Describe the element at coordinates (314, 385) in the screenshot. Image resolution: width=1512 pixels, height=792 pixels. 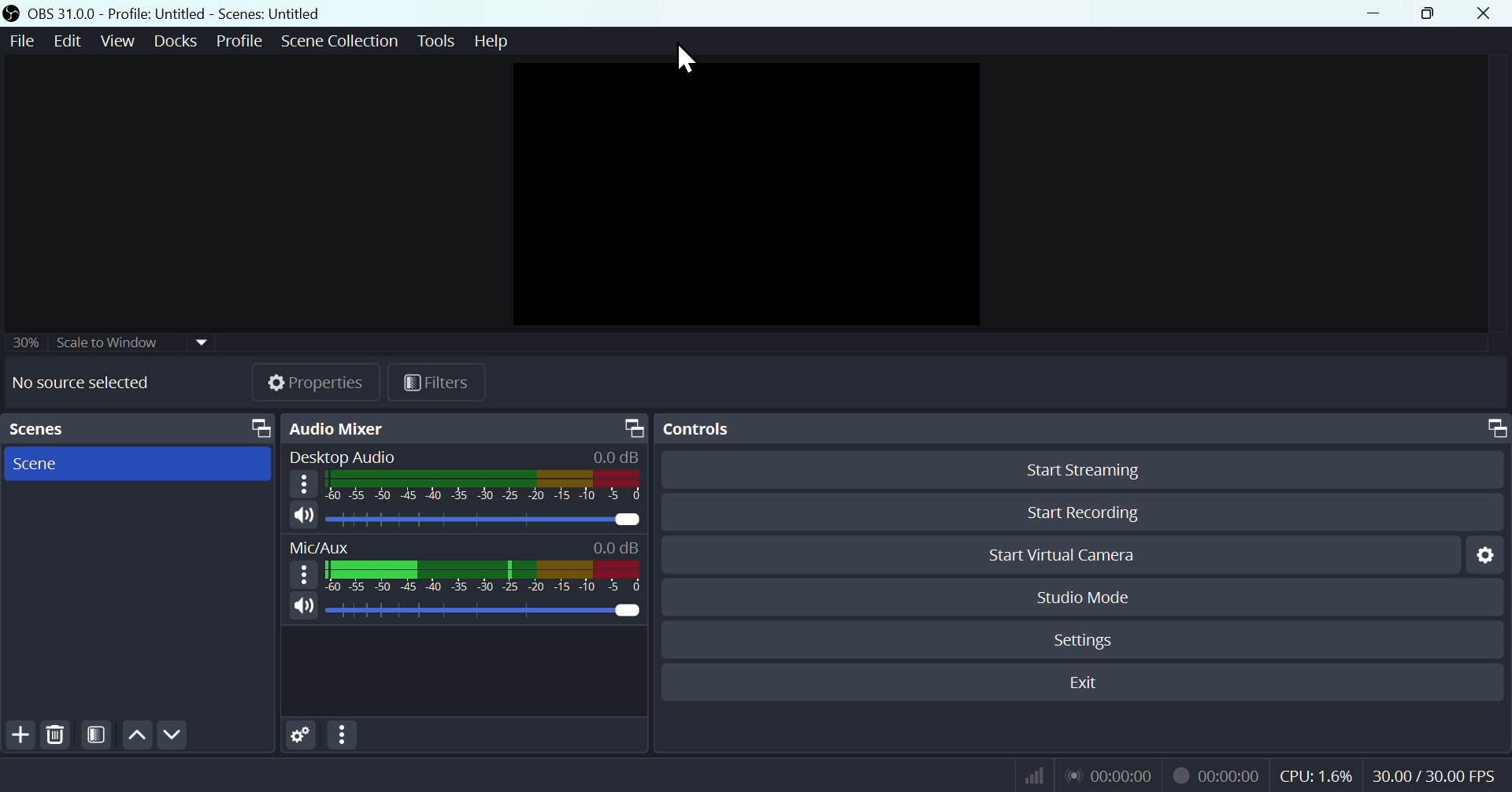
I see `Properties` at that location.